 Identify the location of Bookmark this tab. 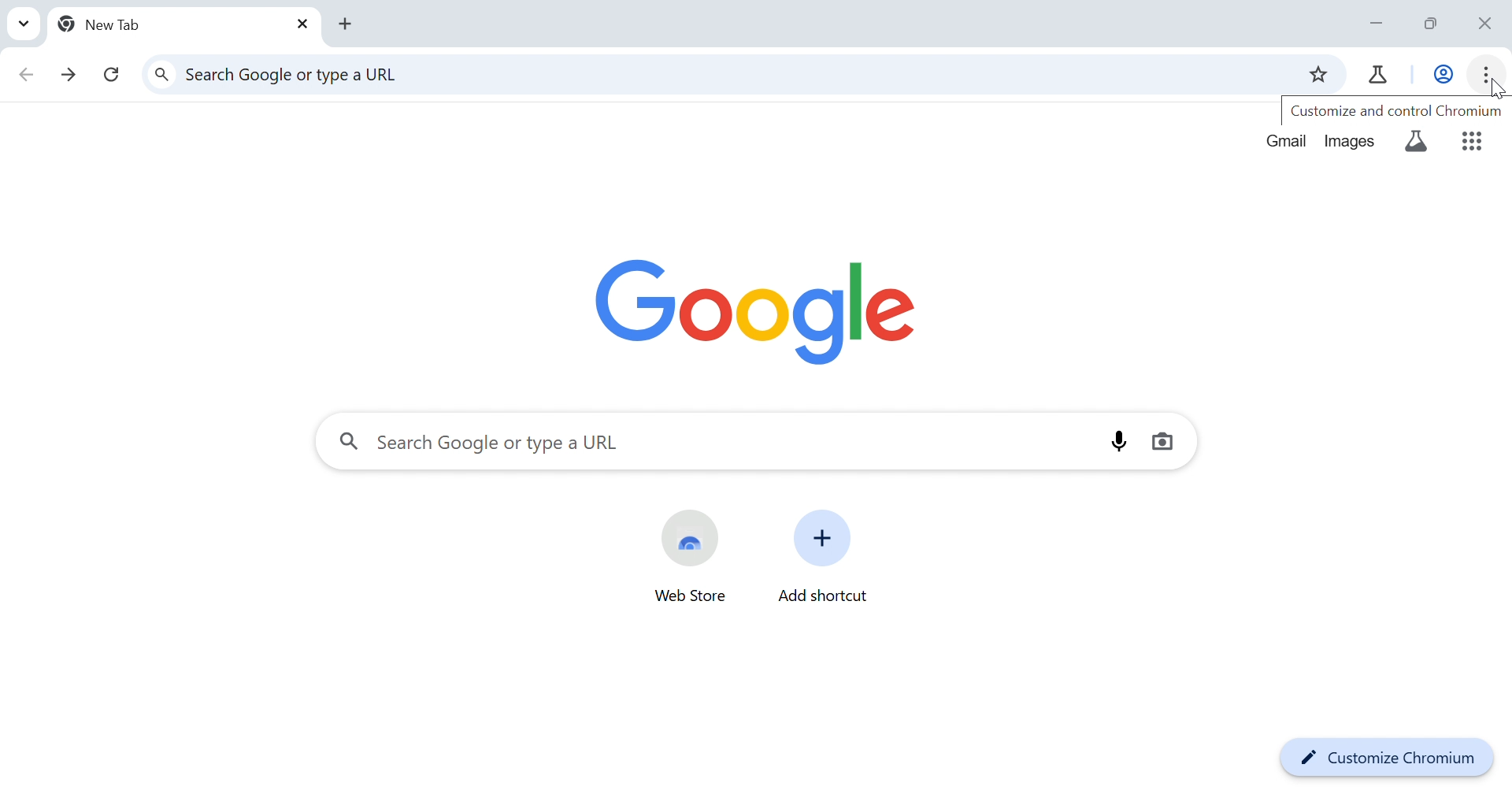
(1316, 74).